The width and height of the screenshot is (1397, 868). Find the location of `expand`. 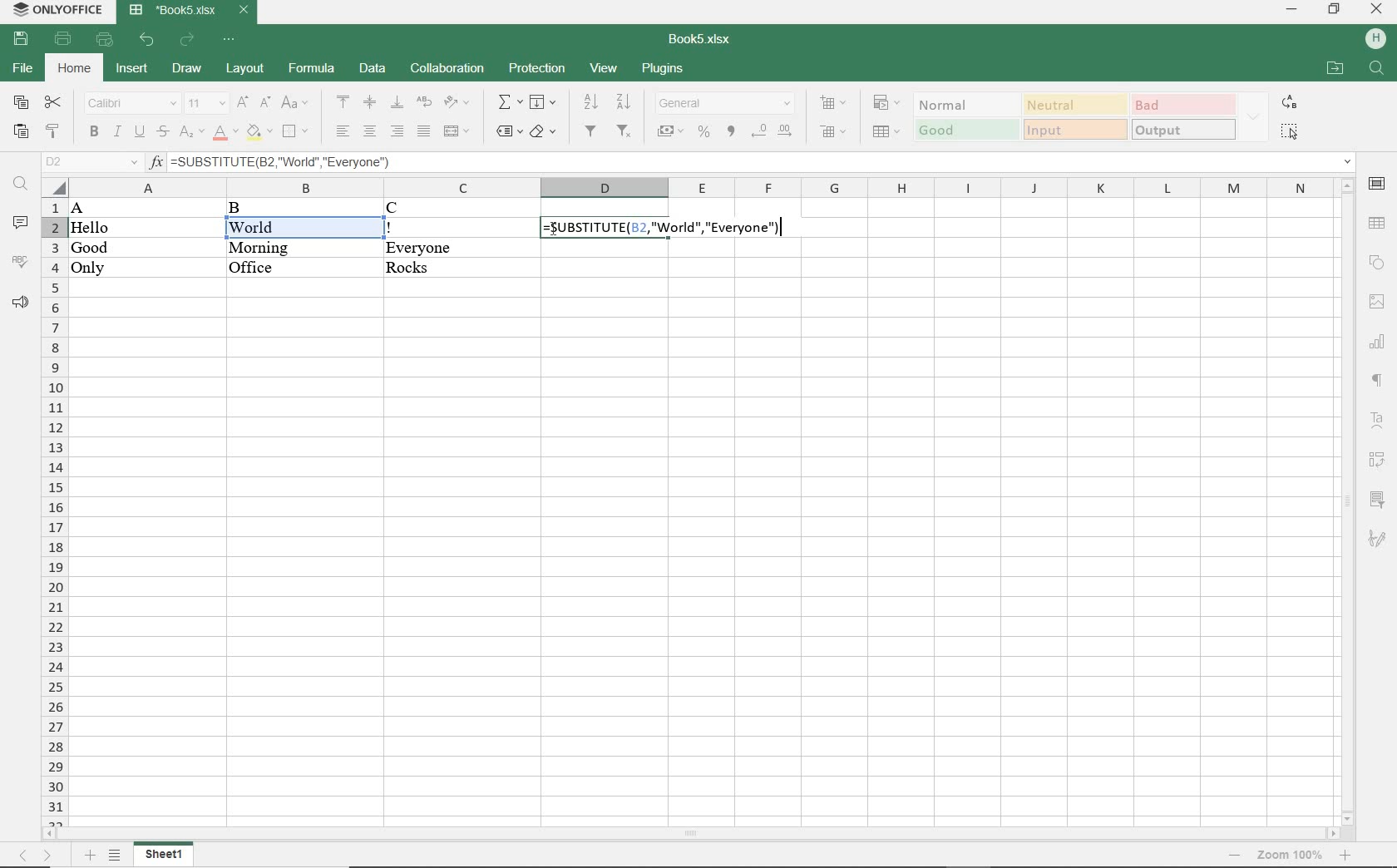

expand is located at coordinates (1255, 116).